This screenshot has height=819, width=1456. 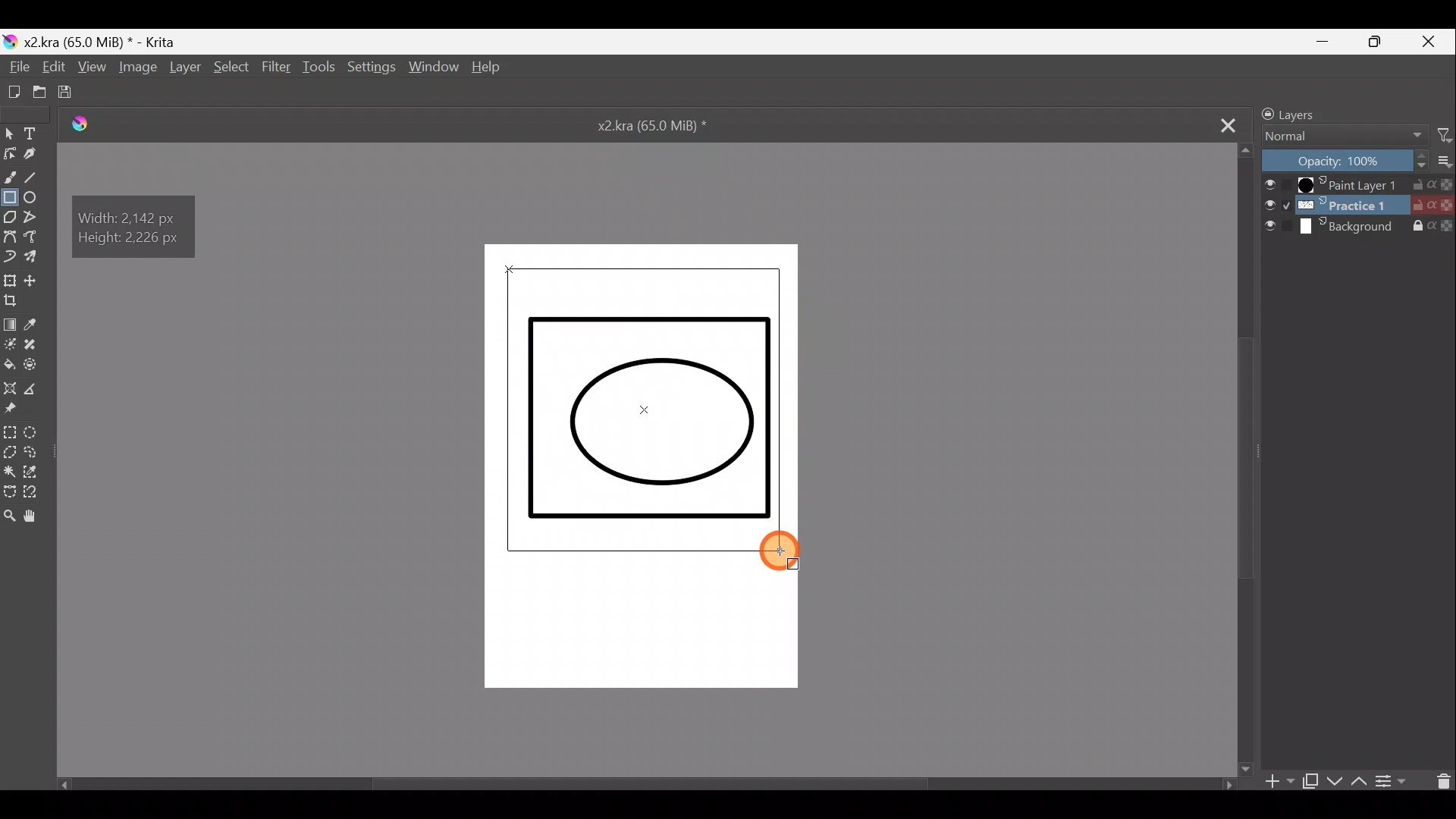 I want to click on Bezier curve selection tool, so click(x=9, y=494).